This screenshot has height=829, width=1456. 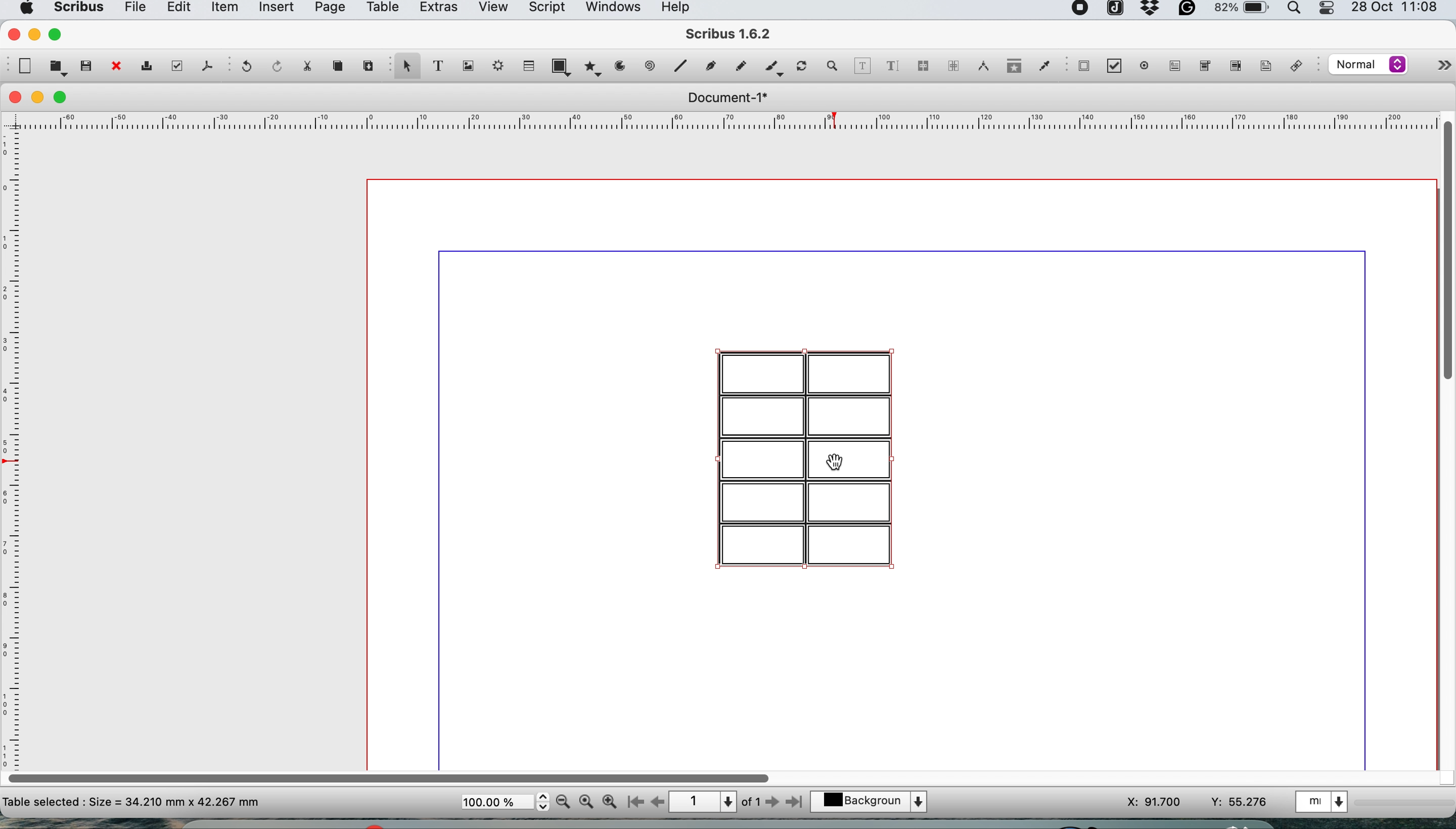 I want to click on copy item properties, so click(x=1011, y=69).